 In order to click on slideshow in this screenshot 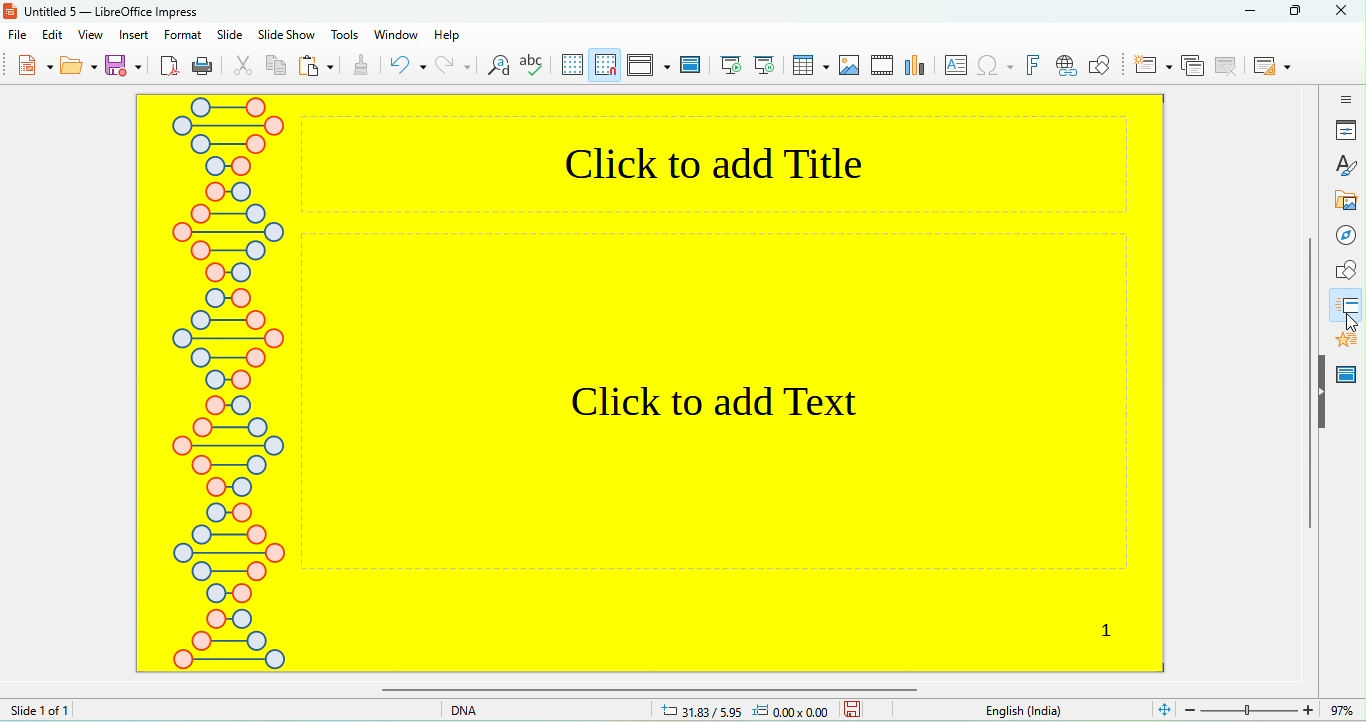, I will do `click(287, 35)`.